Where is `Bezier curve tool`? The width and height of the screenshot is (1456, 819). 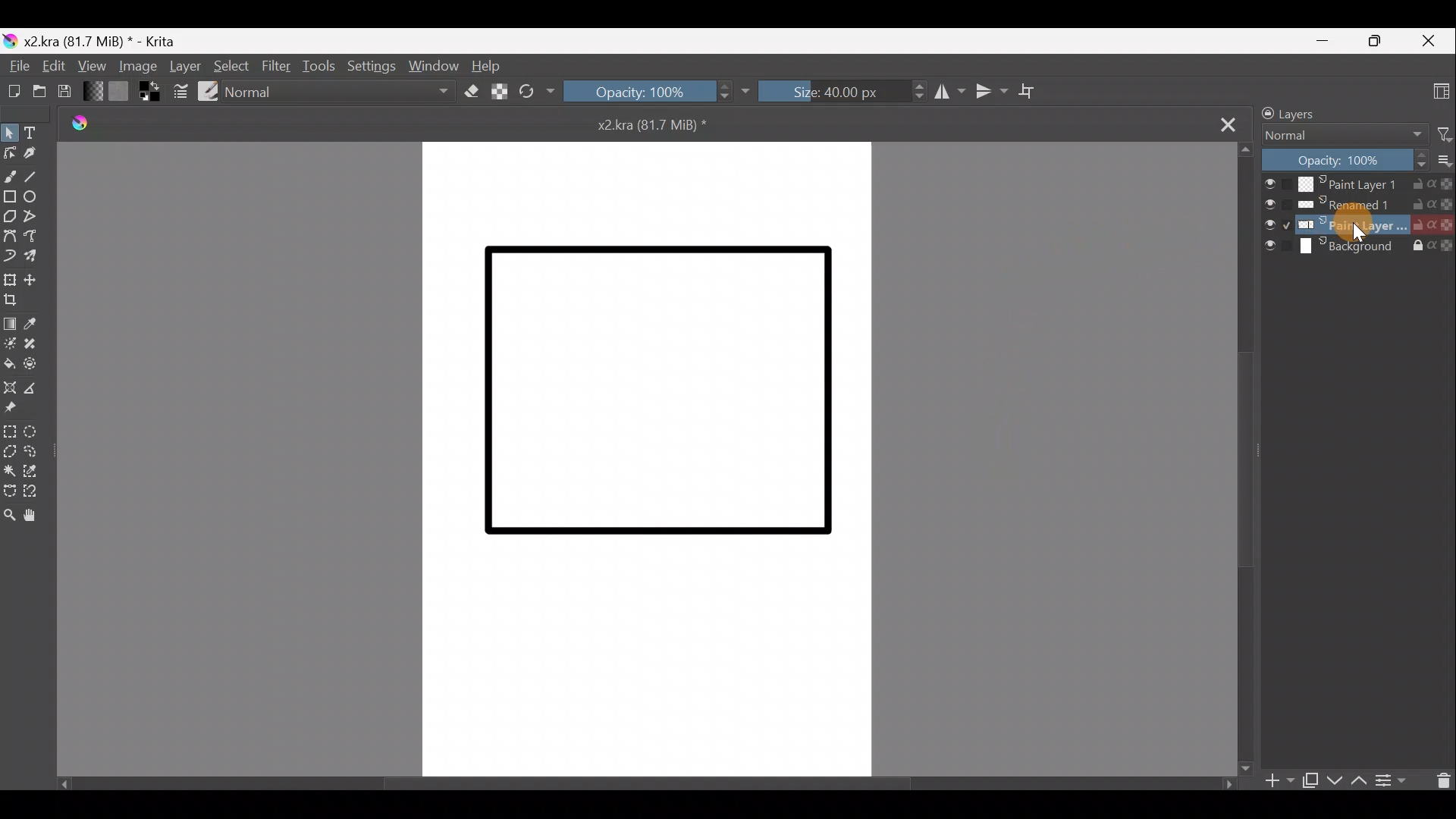
Bezier curve tool is located at coordinates (11, 237).